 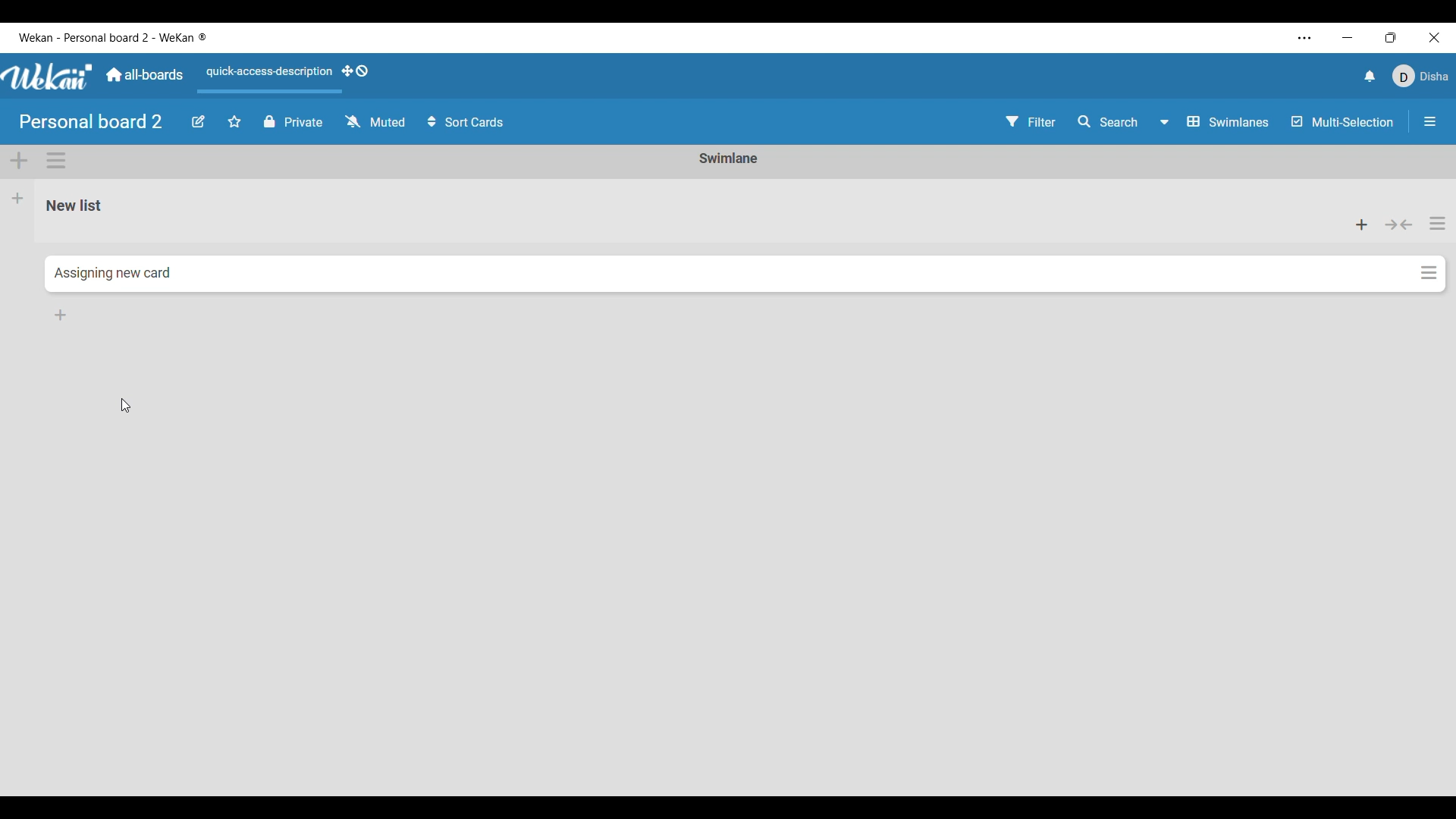 What do you see at coordinates (1363, 224) in the screenshot?
I see `Add card to top of list` at bounding box center [1363, 224].